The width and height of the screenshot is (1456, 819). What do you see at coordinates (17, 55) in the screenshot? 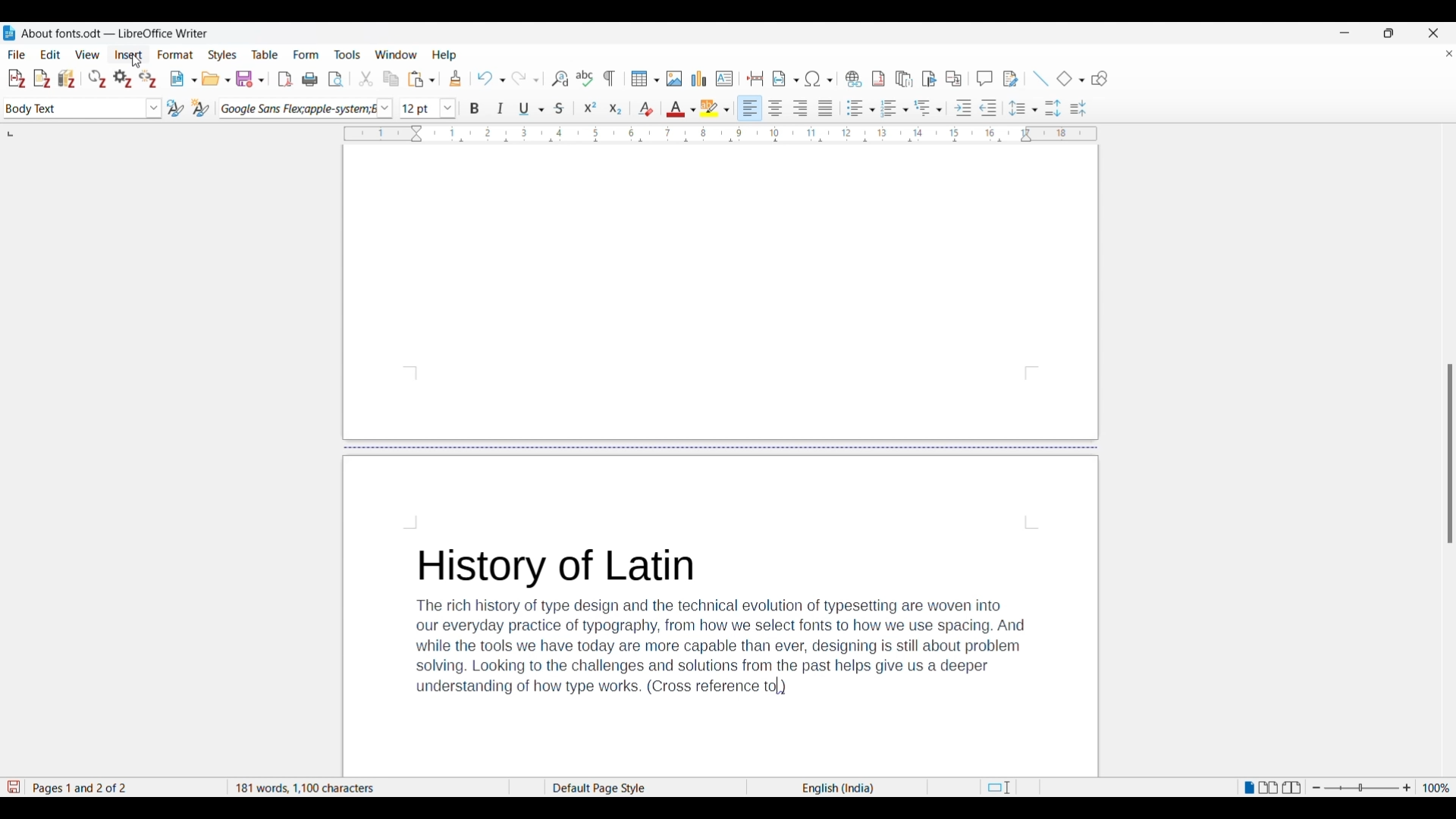
I see `File menu` at bounding box center [17, 55].